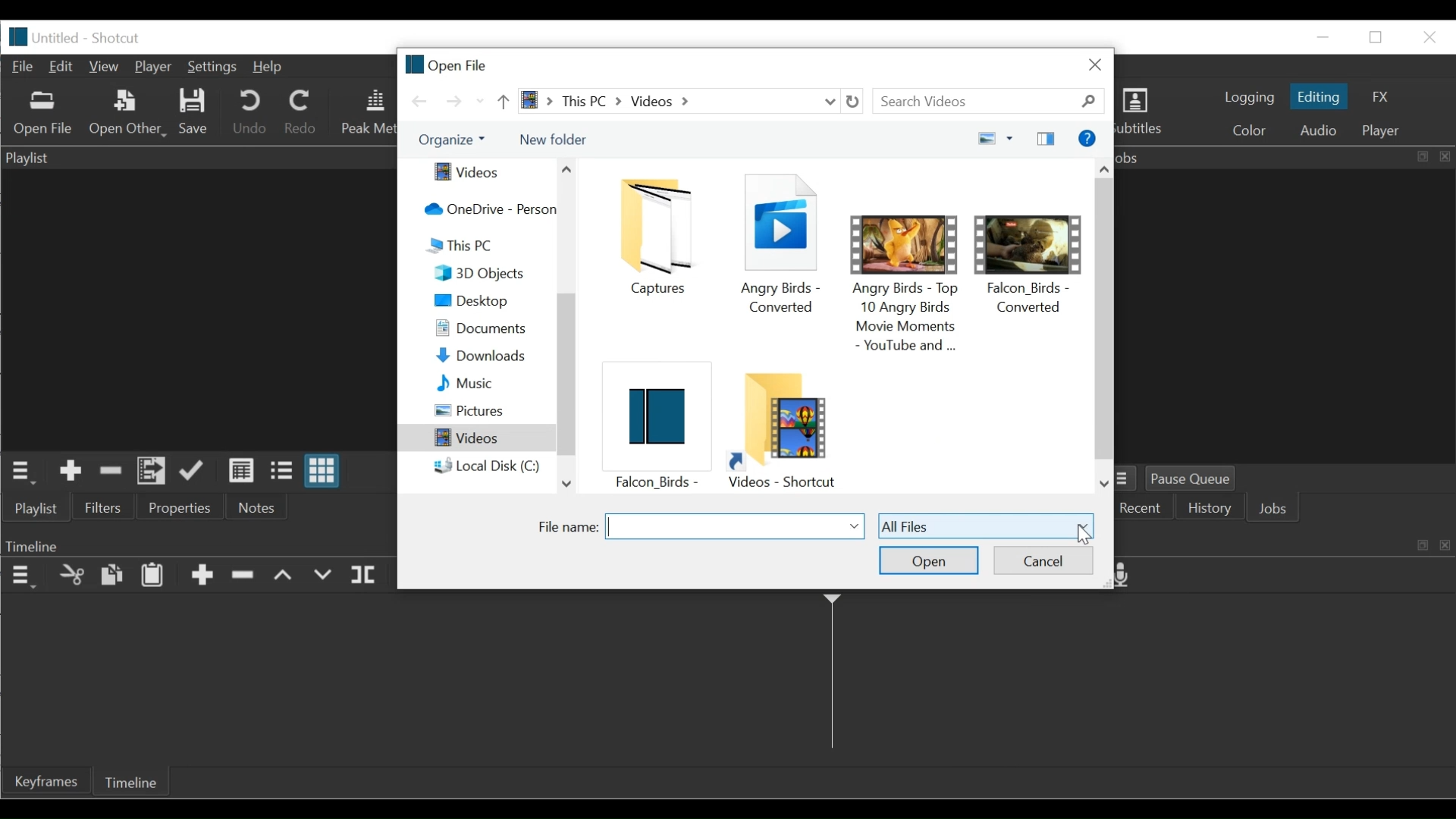 This screenshot has width=1456, height=819. What do you see at coordinates (108, 472) in the screenshot?
I see `Remove cut` at bounding box center [108, 472].